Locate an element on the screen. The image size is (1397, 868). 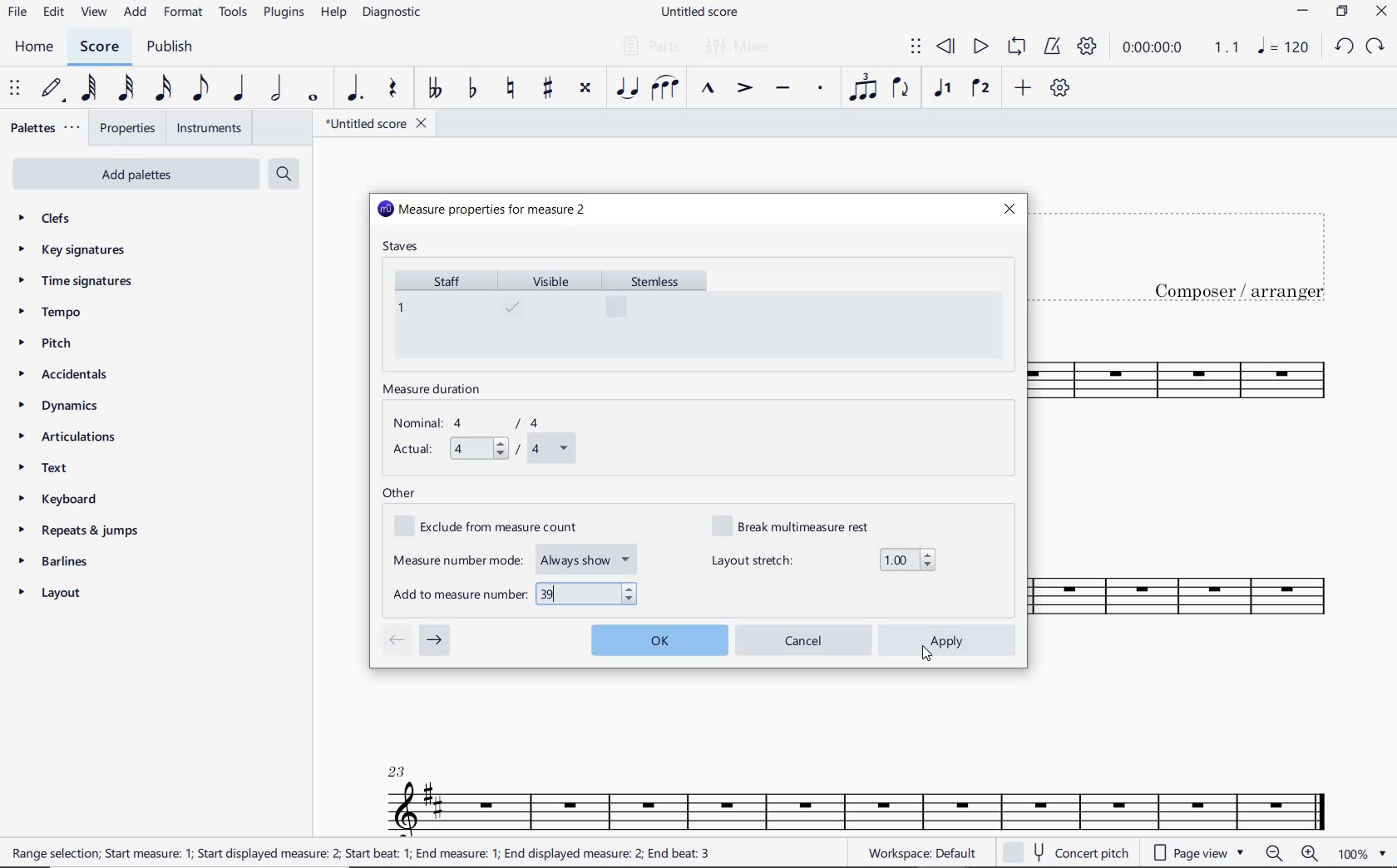
staves is located at coordinates (402, 248).